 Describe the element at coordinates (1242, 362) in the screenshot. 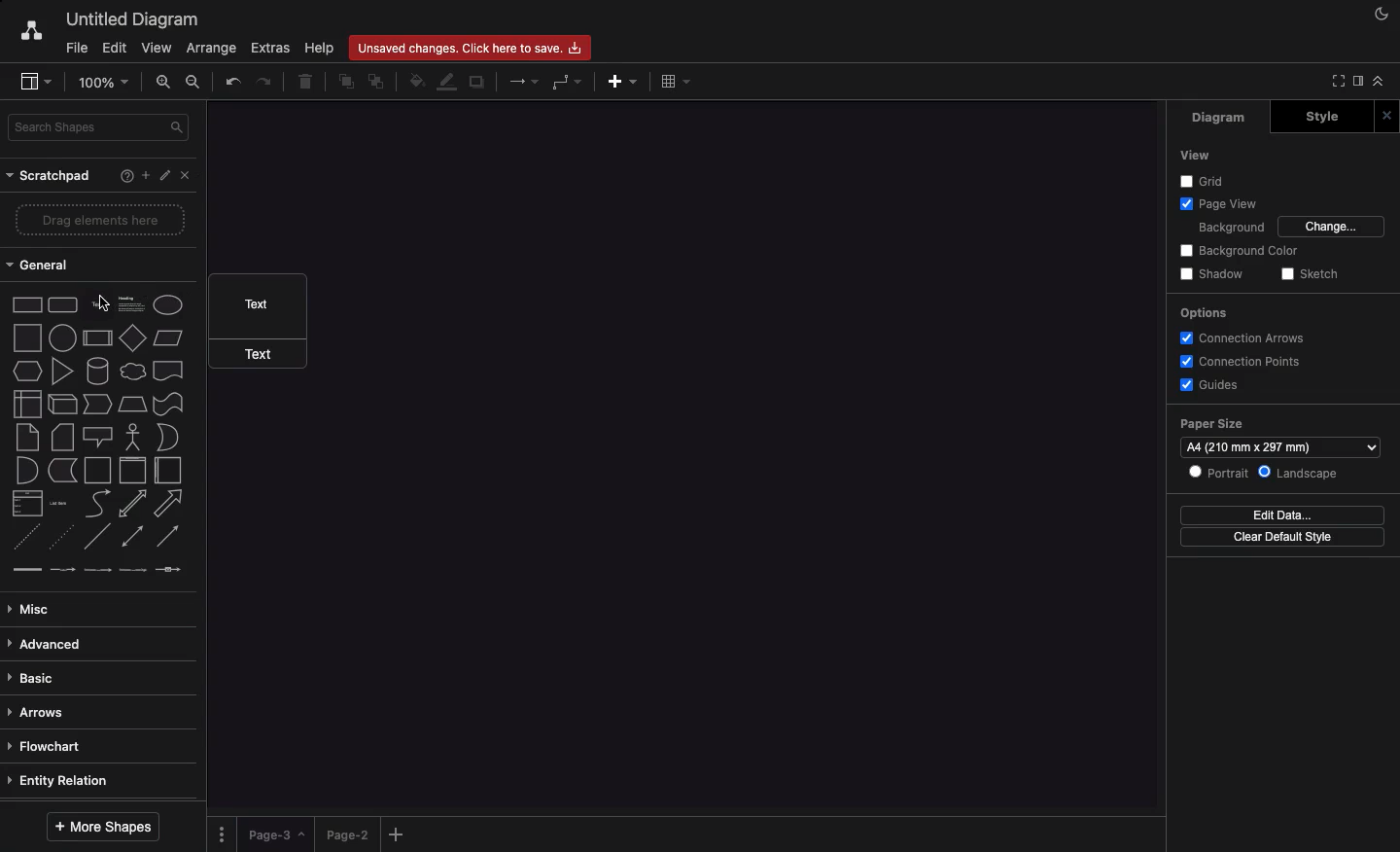

I see `Connection points` at that location.